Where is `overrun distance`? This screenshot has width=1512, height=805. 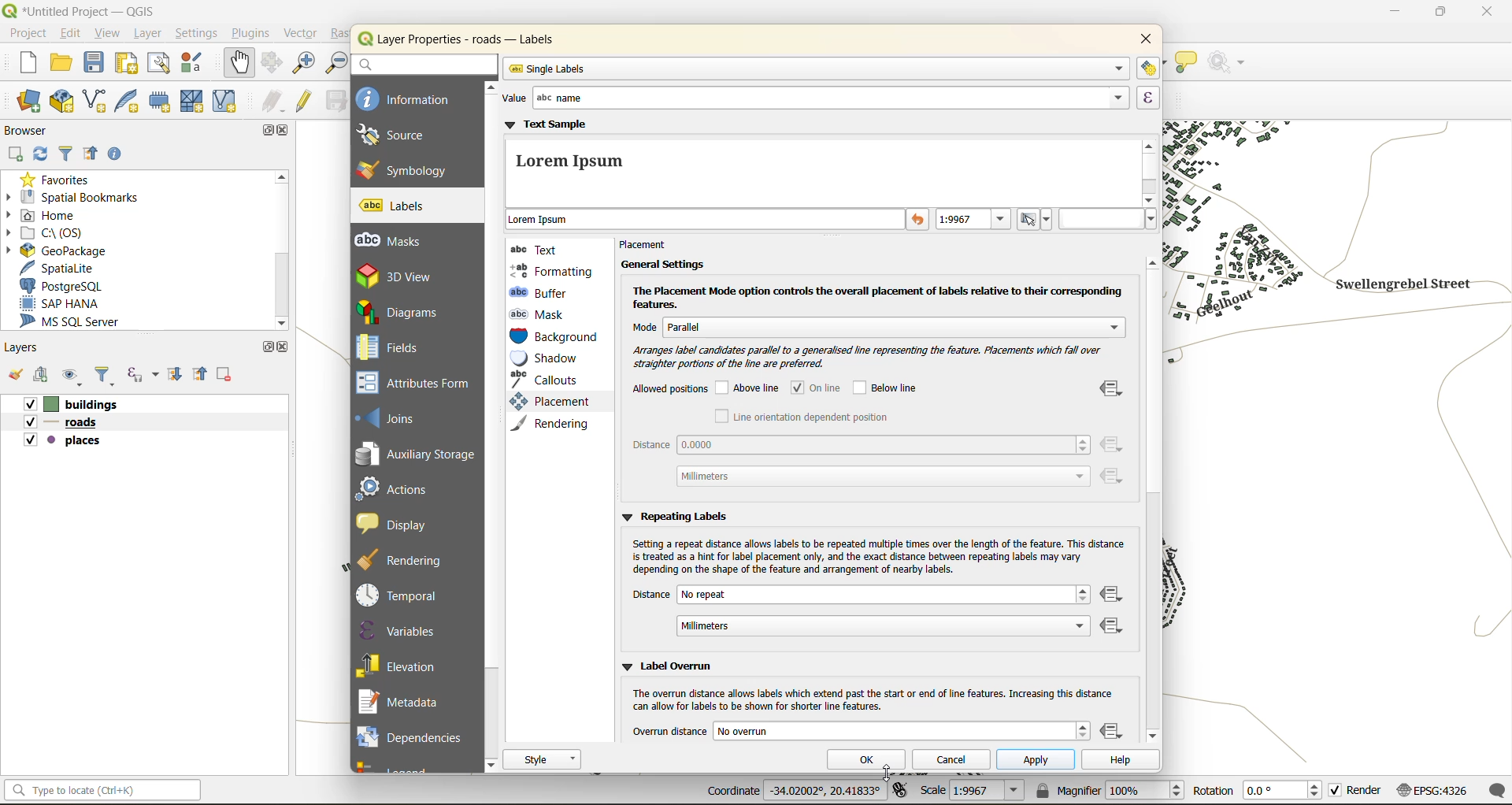
overrun distance is located at coordinates (860, 730).